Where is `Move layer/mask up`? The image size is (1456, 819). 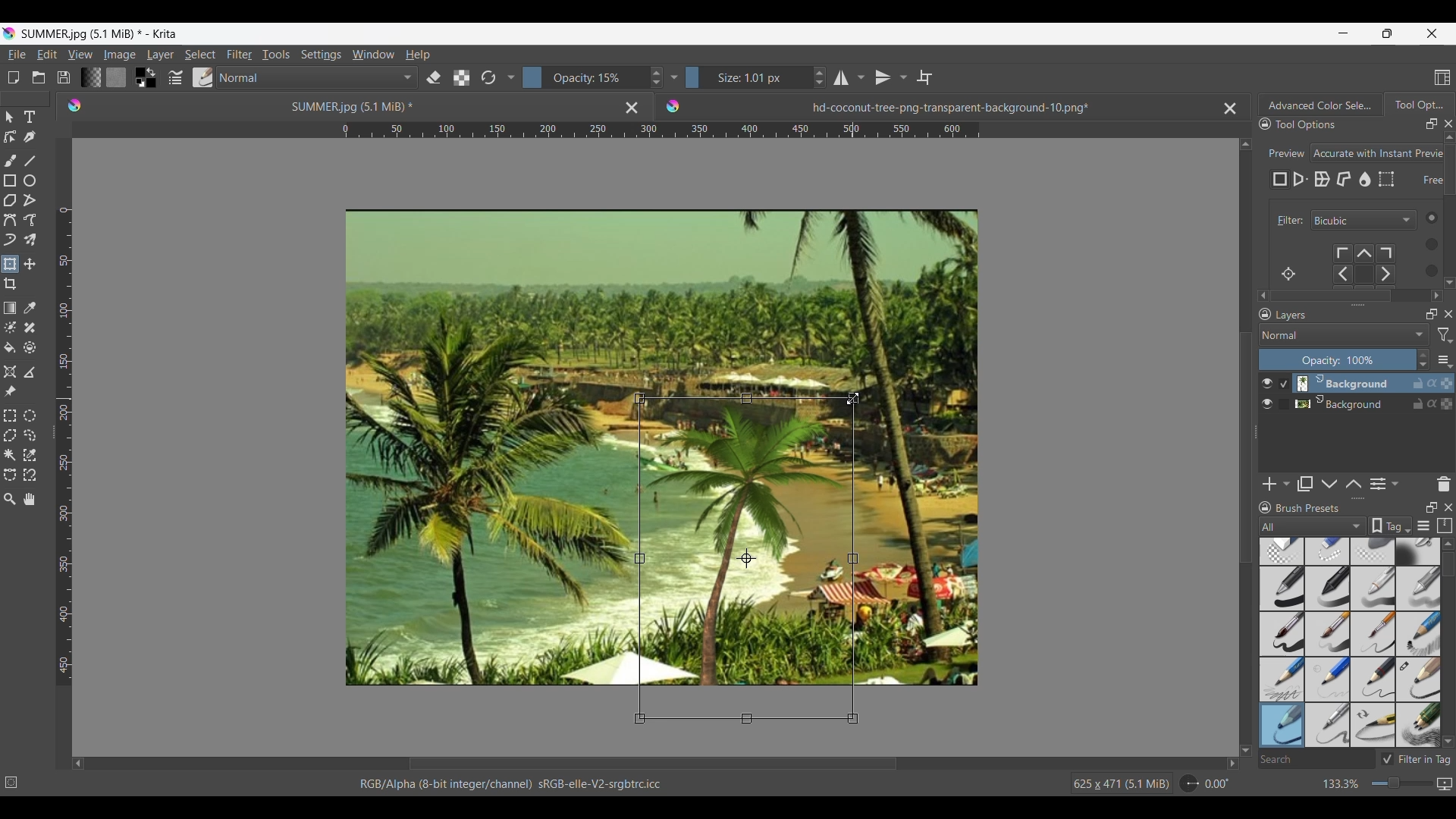
Move layer/mask up is located at coordinates (1354, 484).